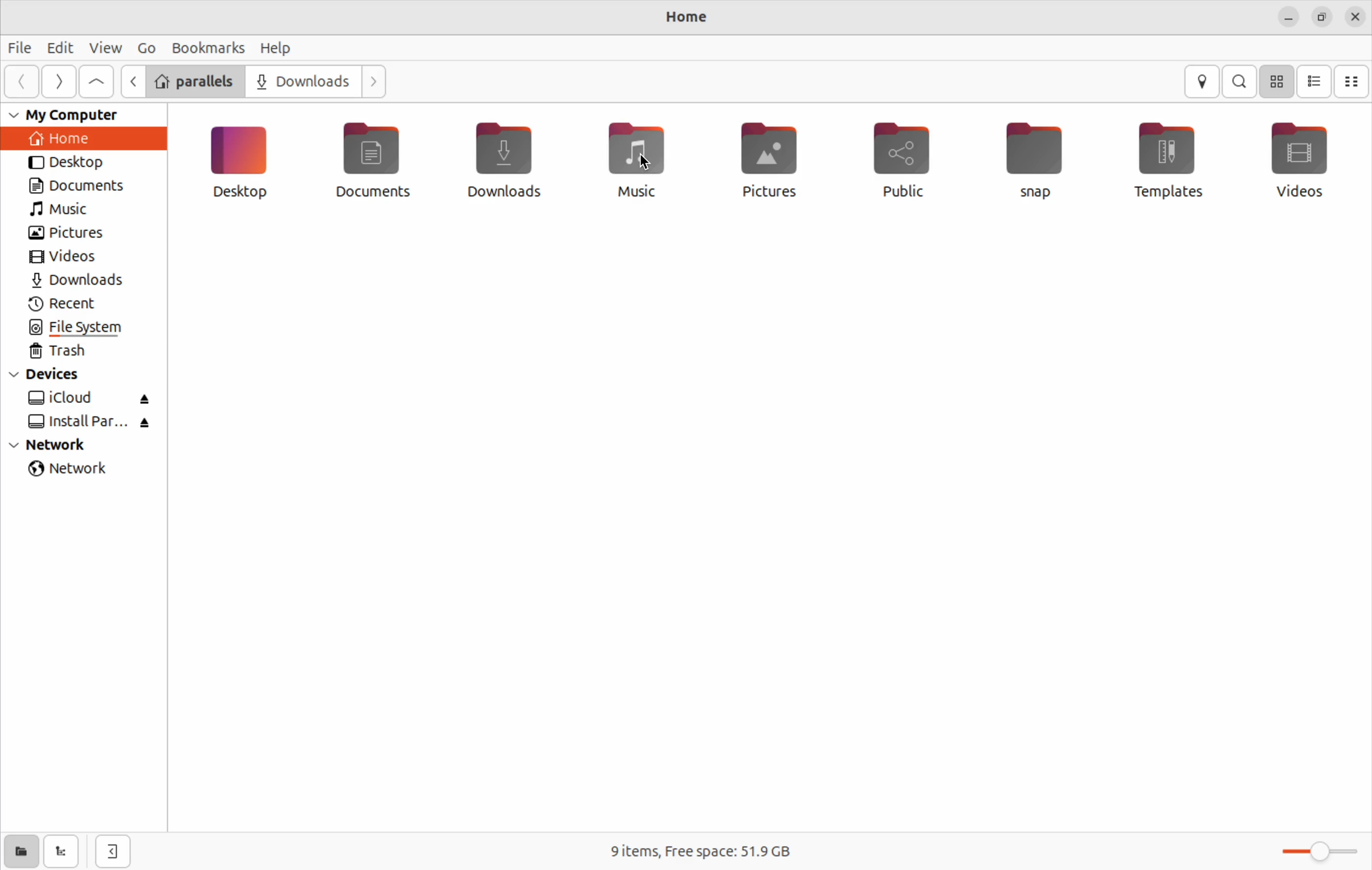 Image resolution: width=1372 pixels, height=870 pixels. Describe the element at coordinates (1353, 82) in the screenshot. I see `compact view` at that location.